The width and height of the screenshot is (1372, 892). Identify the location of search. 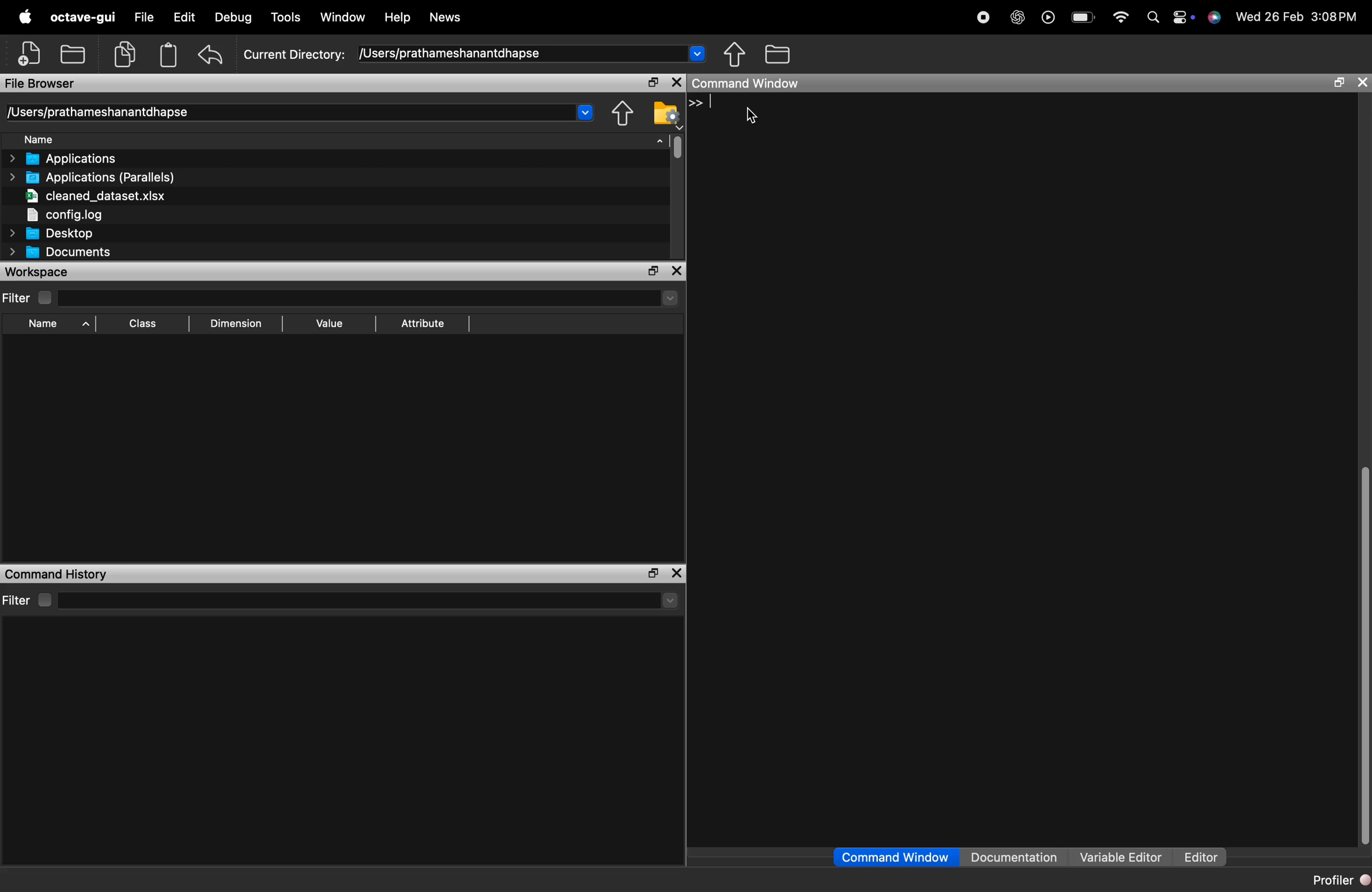
(1152, 17).